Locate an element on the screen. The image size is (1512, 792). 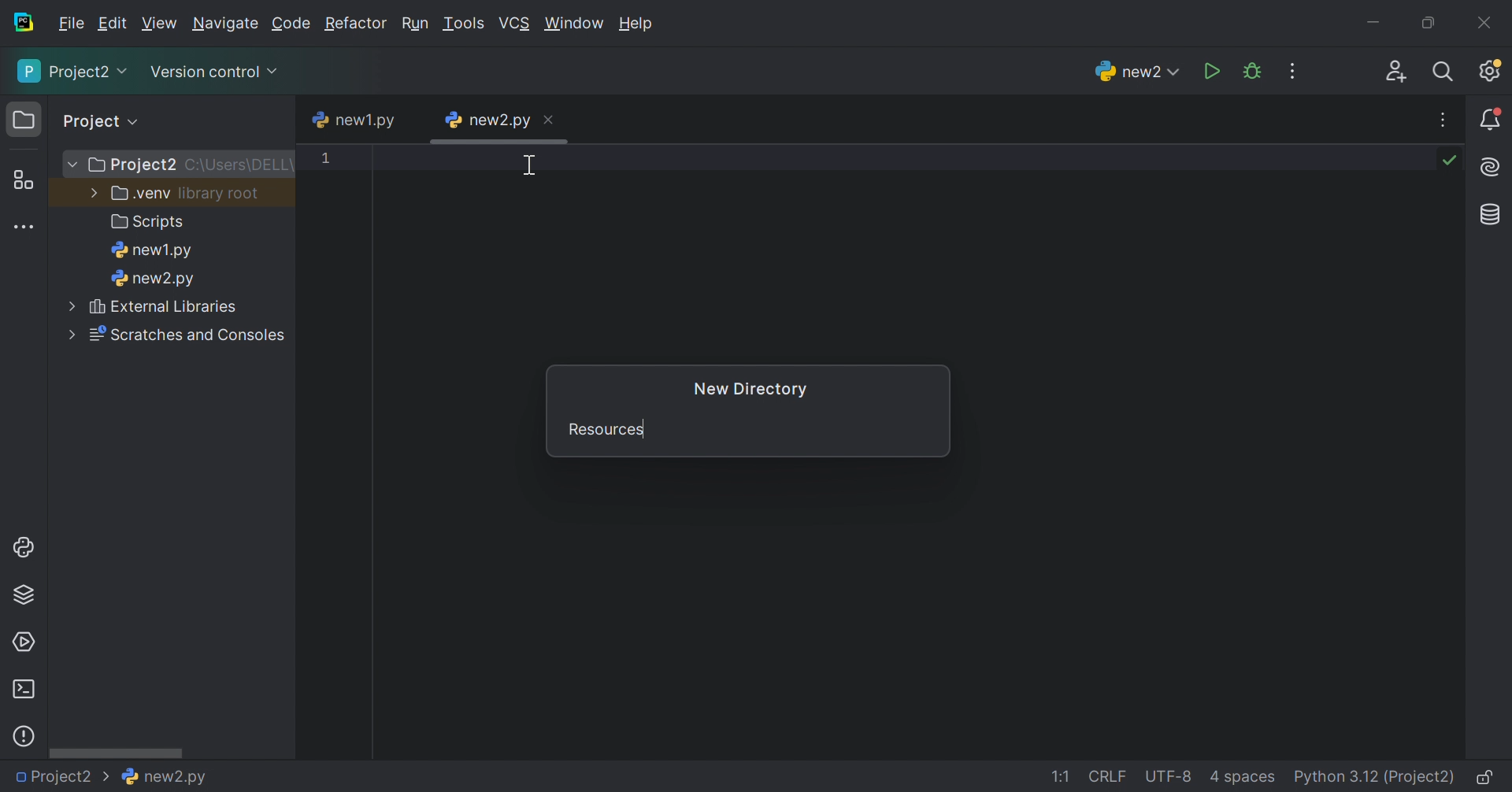
View is located at coordinates (160, 25).